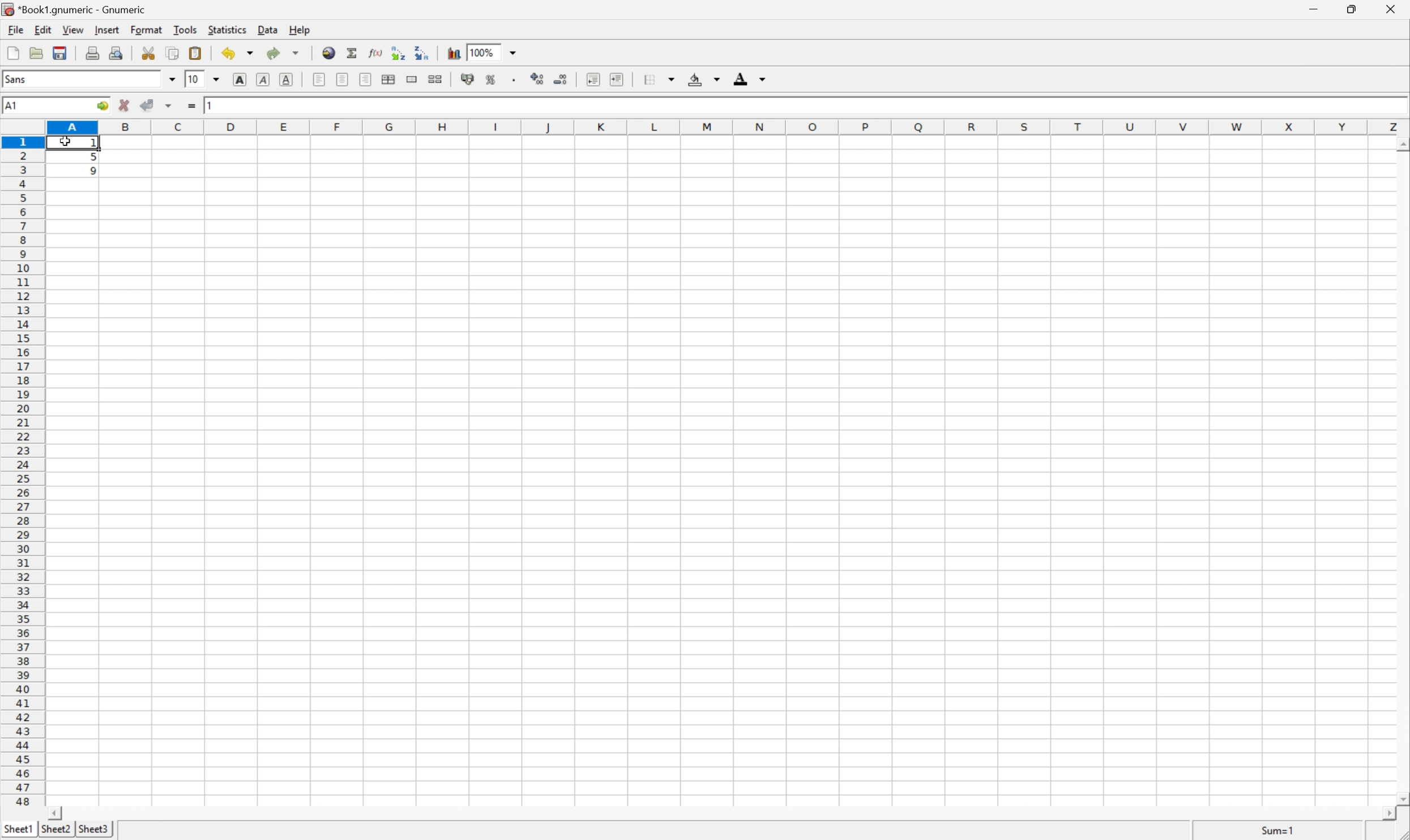 The width and height of the screenshot is (1410, 840). I want to click on save current workbook, so click(60, 53).